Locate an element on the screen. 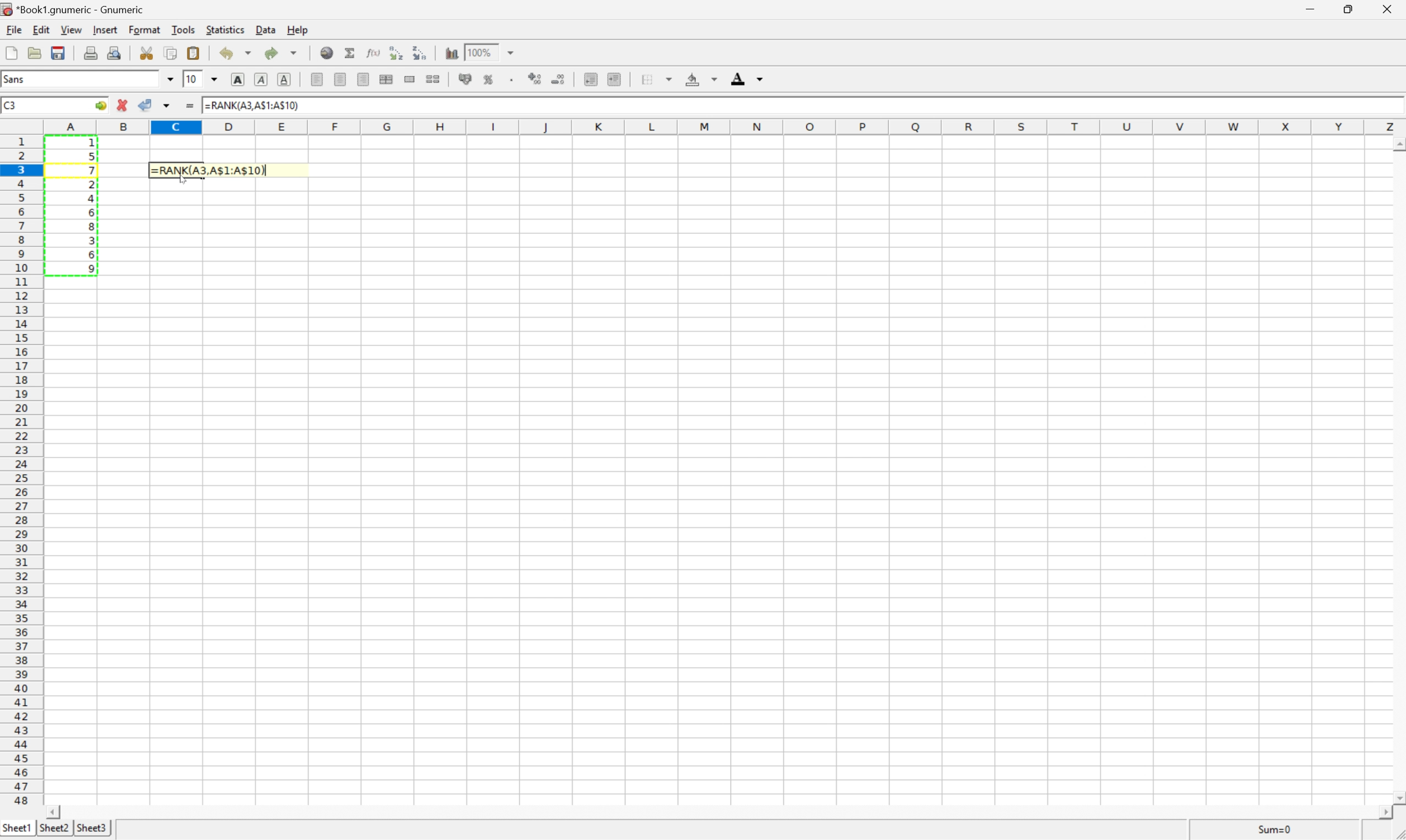 Image resolution: width=1406 pixels, height=840 pixels. format selection as percentage is located at coordinates (490, 79).